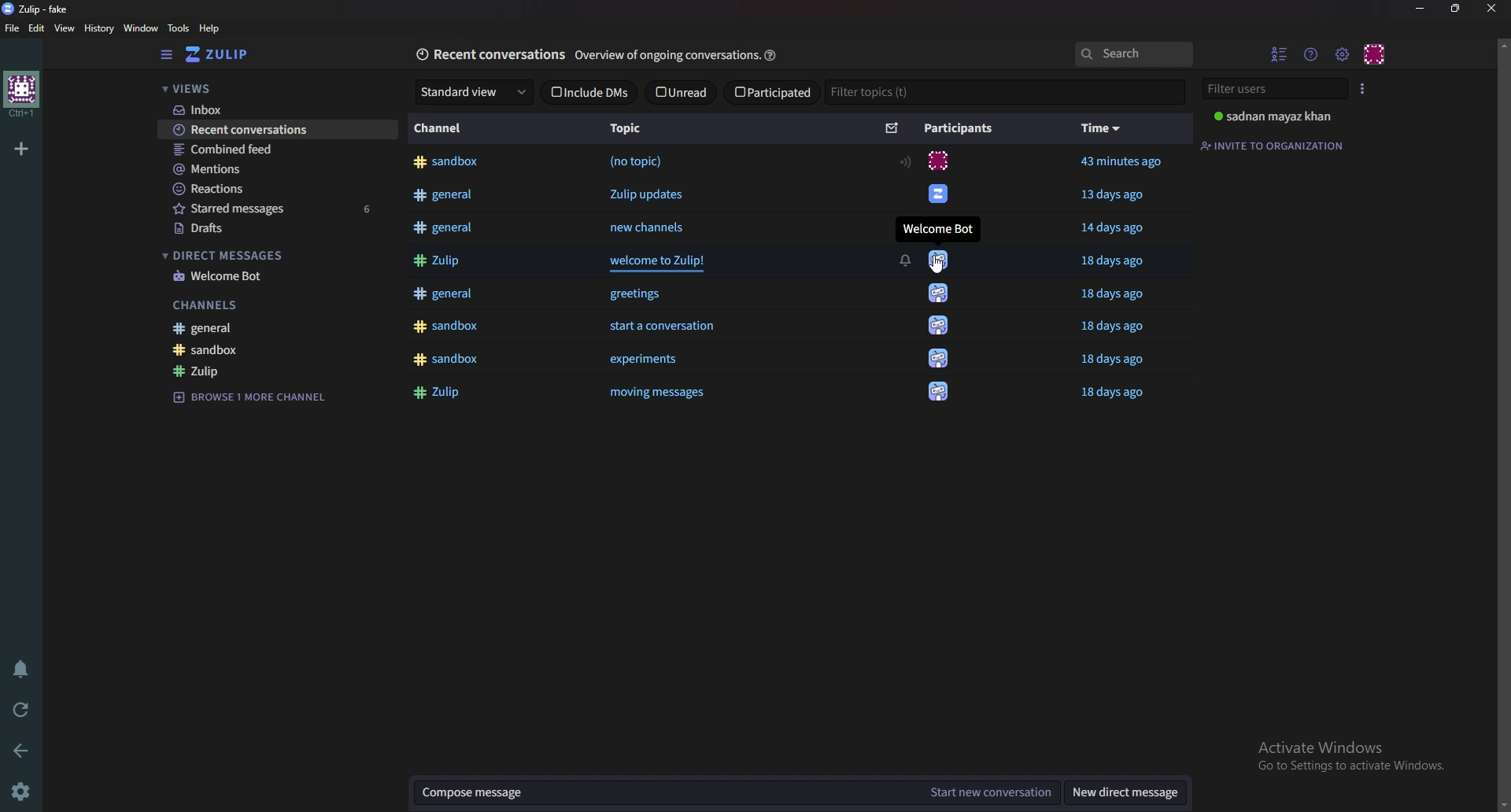  I want to click on help, so click(209, 28).